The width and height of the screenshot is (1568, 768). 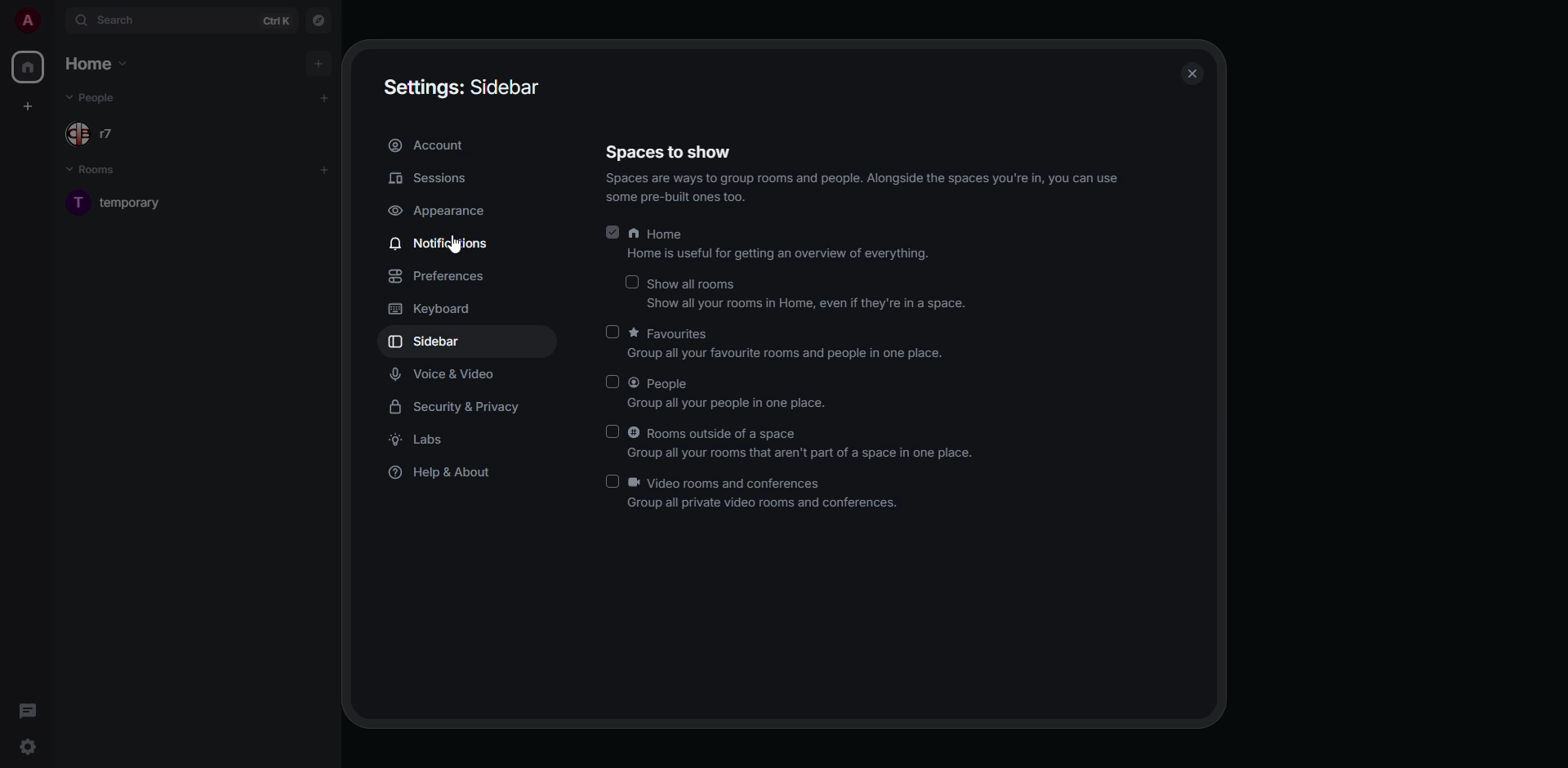 I want to click on keyboard, so click(x=434, y=310).